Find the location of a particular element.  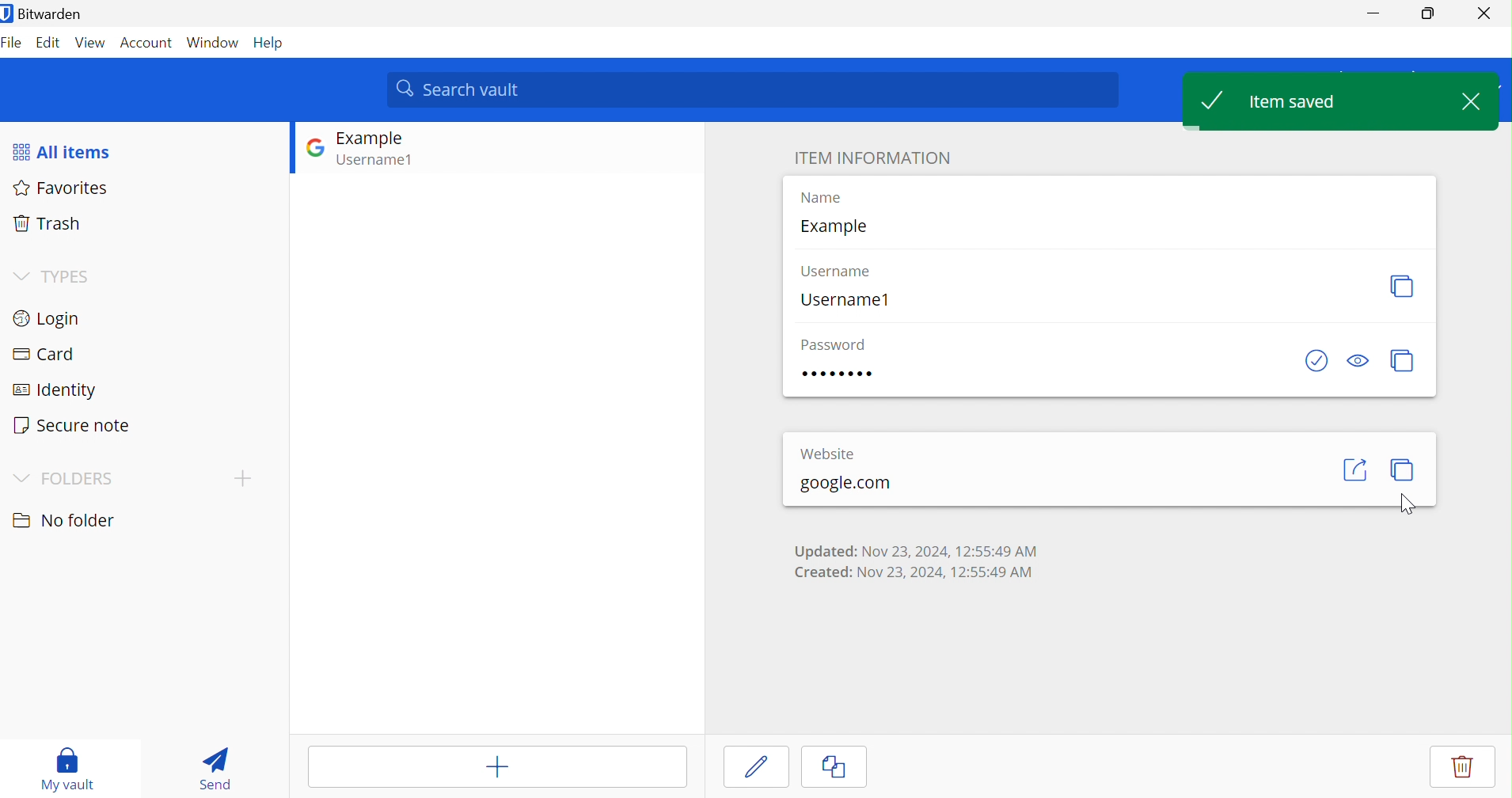

Edit is located at coordinates (48, 44).